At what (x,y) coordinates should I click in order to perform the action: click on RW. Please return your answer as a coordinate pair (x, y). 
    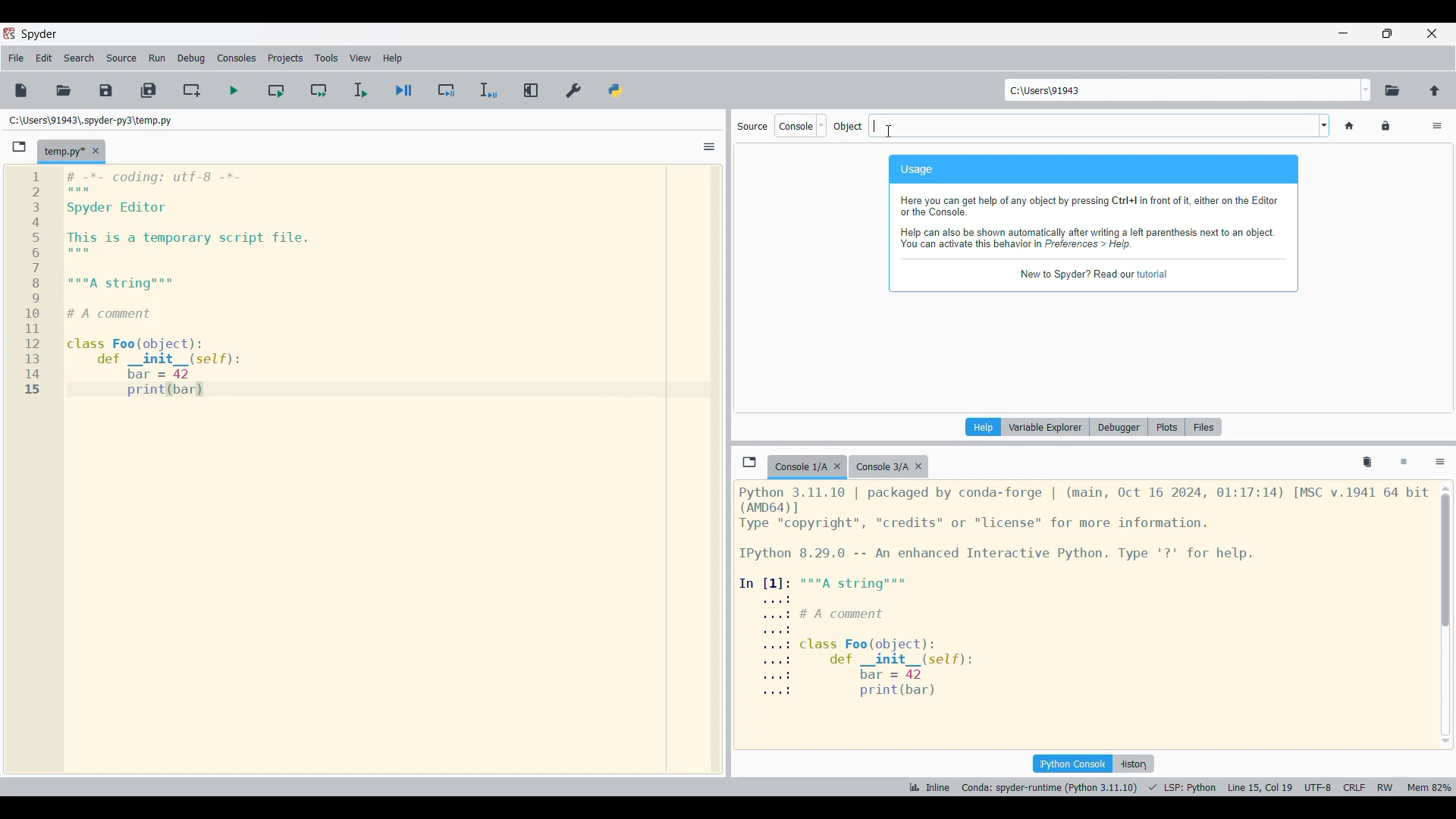
    Looking at the image, I should click on (1386, 786).